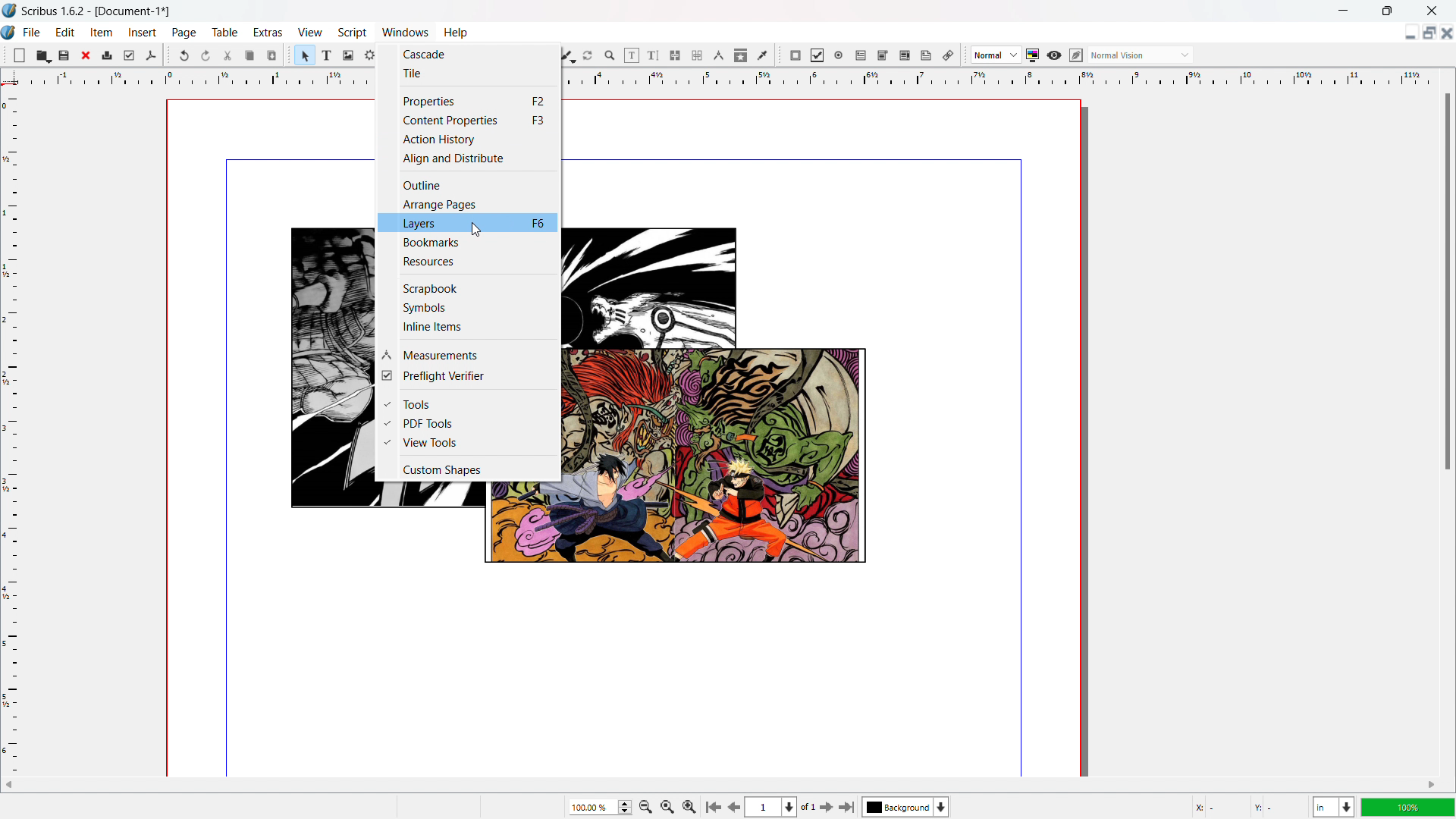  What do you see at coordinates (861, 55) in the screenshot?
I see `pdf text field` at bounding box center [861, 55].